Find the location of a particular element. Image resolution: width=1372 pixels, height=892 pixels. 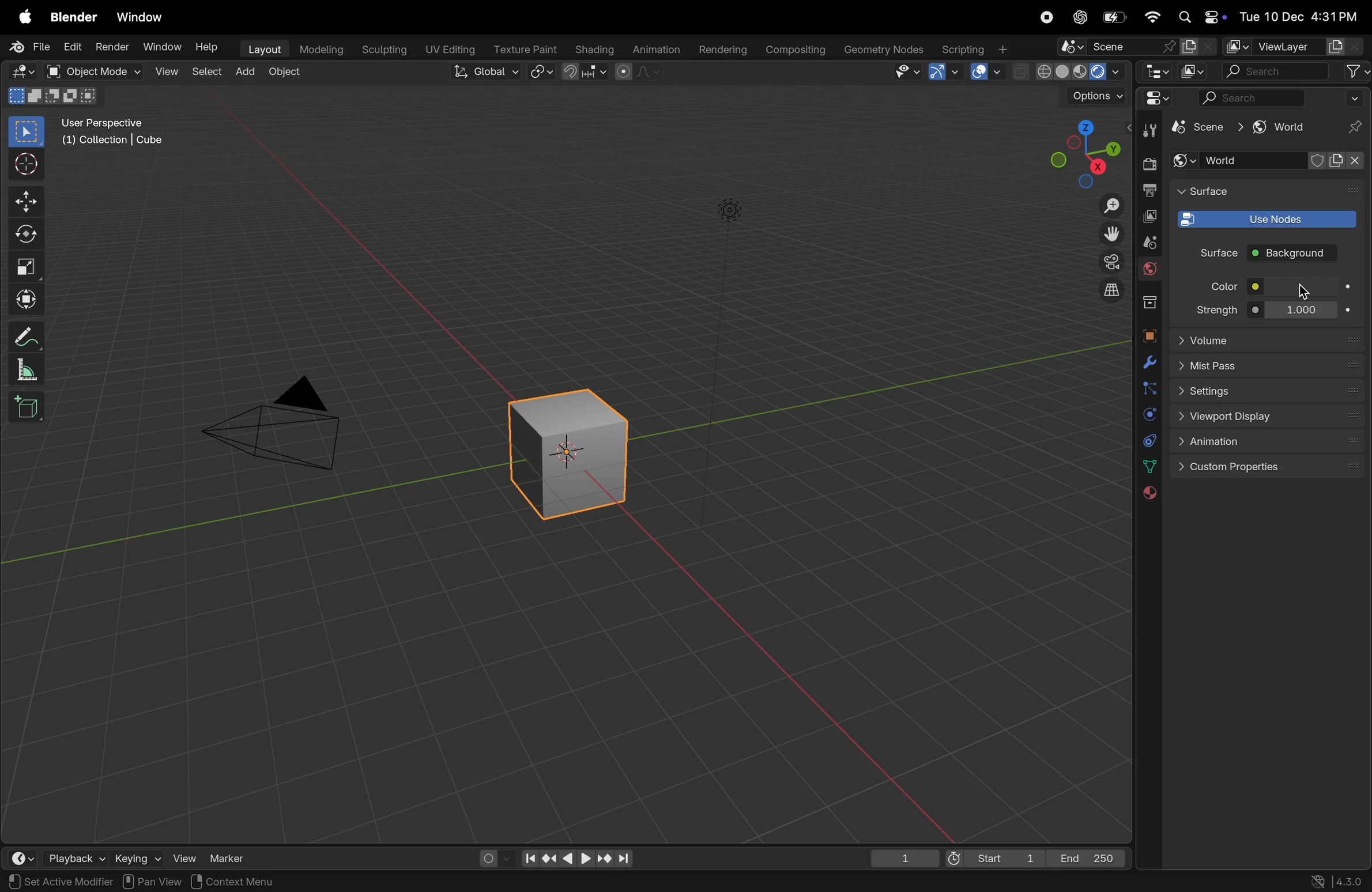

use node is located at coordinates (1264, 220).